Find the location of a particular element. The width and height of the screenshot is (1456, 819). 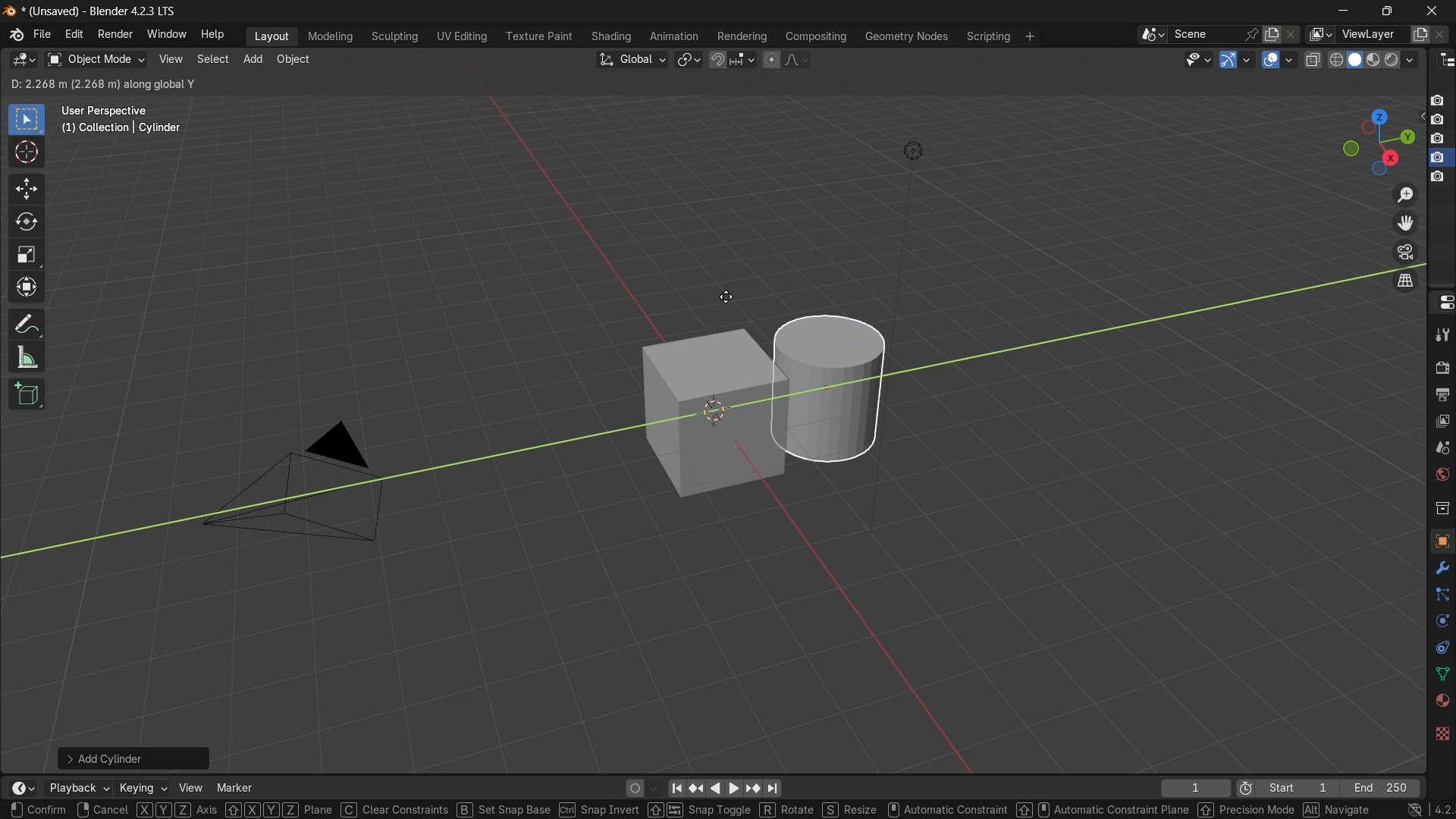

start is located at coordinates (1299, 787).